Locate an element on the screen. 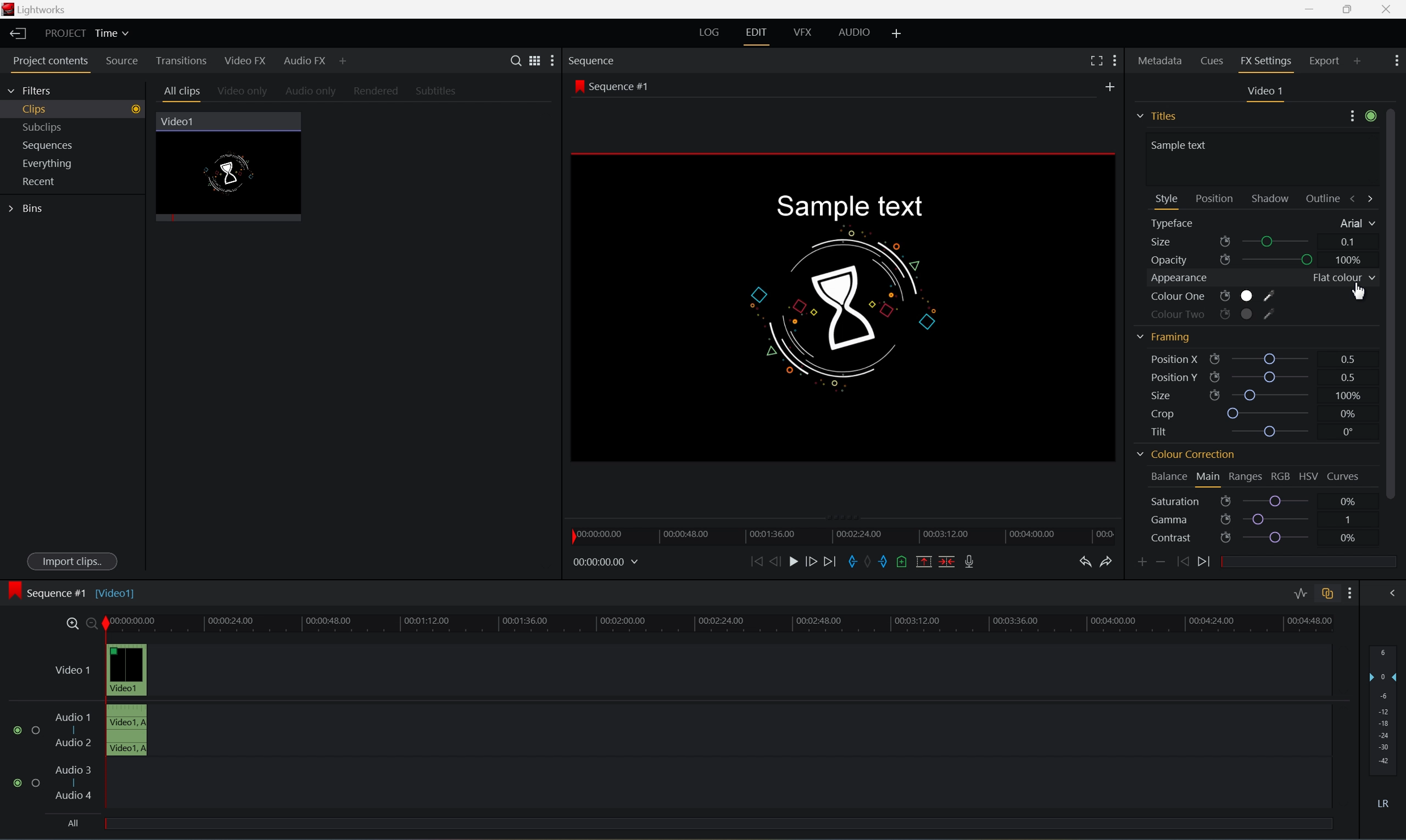 This screenshot has height=840, width=1406. ranges is located at coordinates (1245, 477).